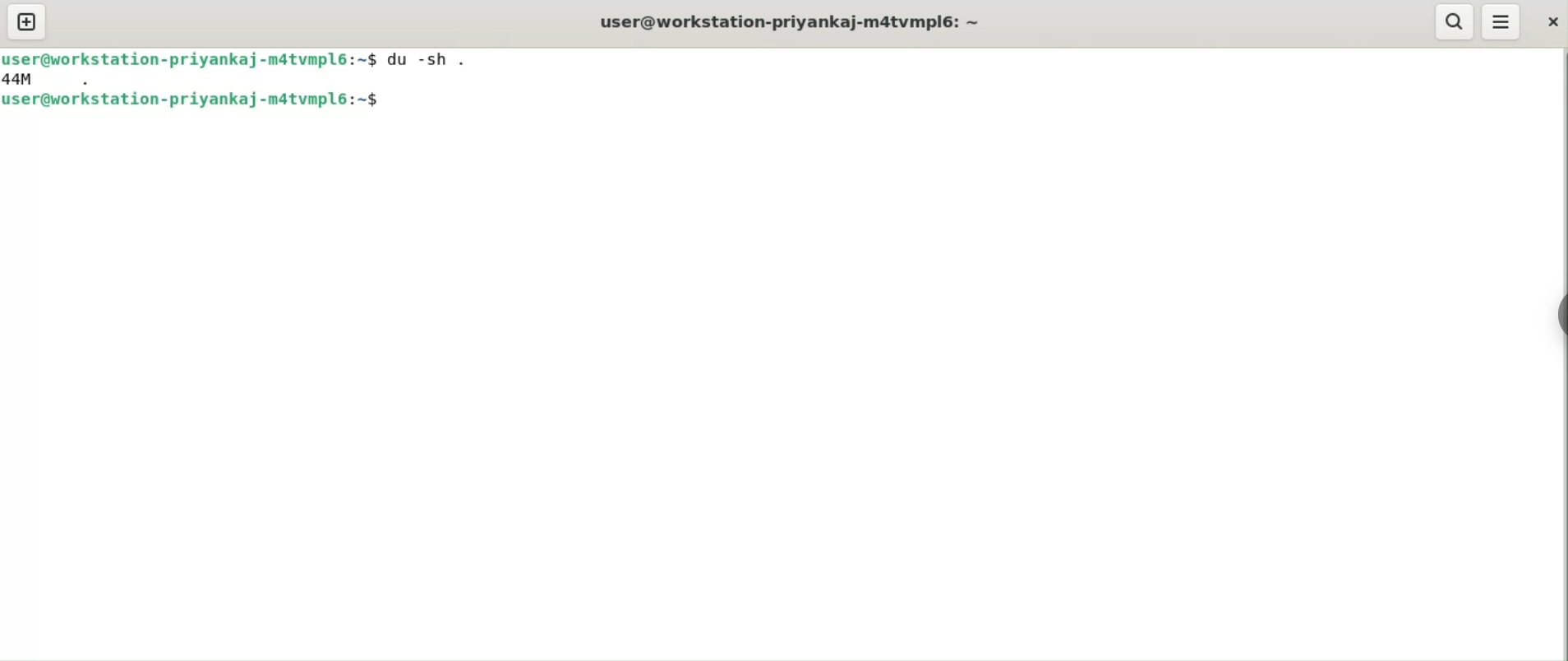 The image size is (1568, 661). Describe the element at coordinates (26, 21) in the screenshot. I see `new tab` at that location.